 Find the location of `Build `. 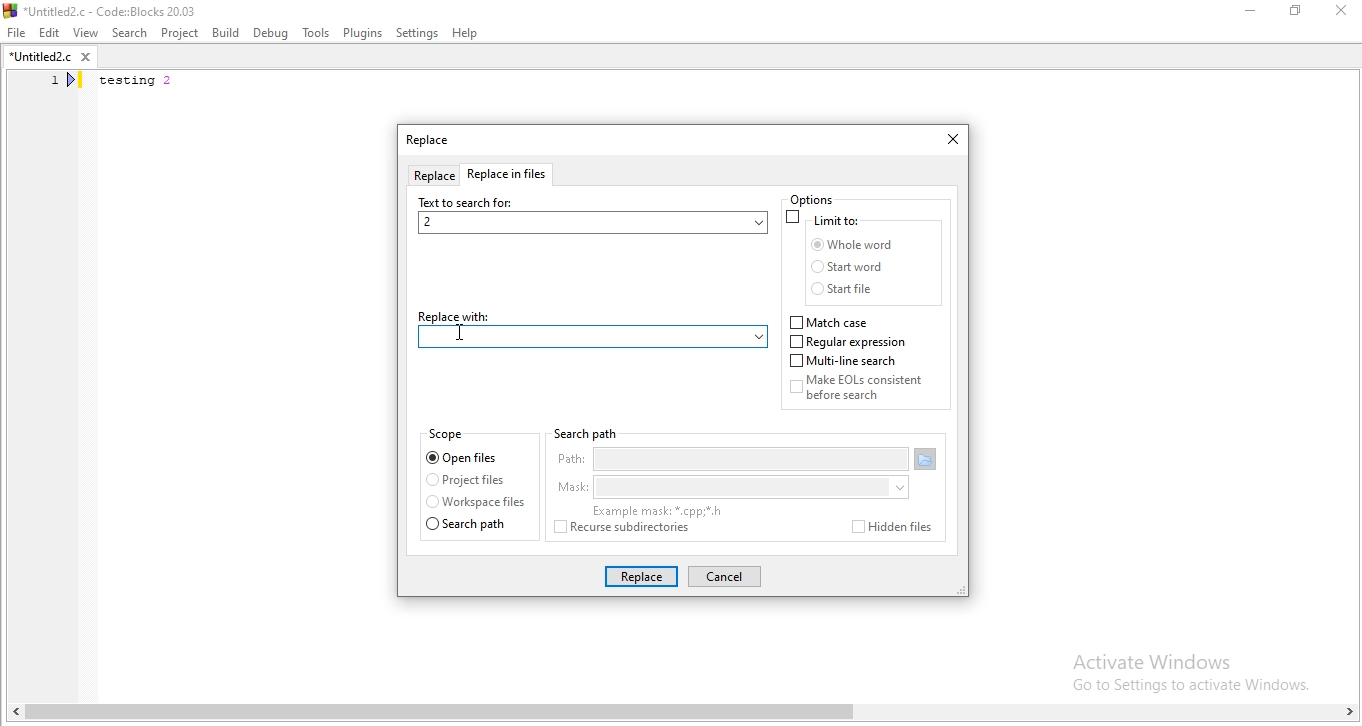

Build  is located at coordinates (225, 32).